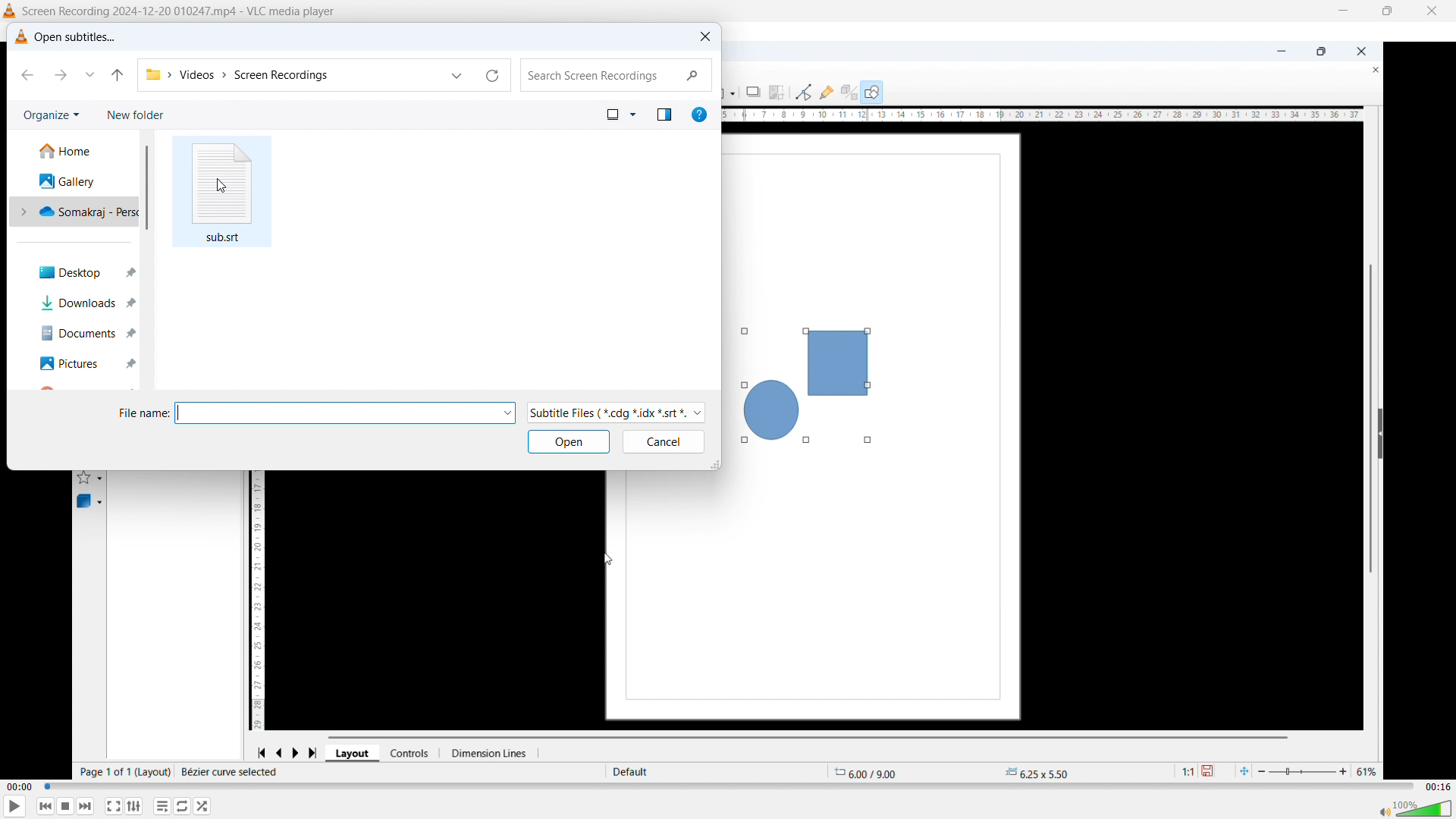 This screenshot has height=819, width=1456. What do you see at coordinates (872, 91) in the screenshot?
I see `show draw function` at bounding box center [872, 91].